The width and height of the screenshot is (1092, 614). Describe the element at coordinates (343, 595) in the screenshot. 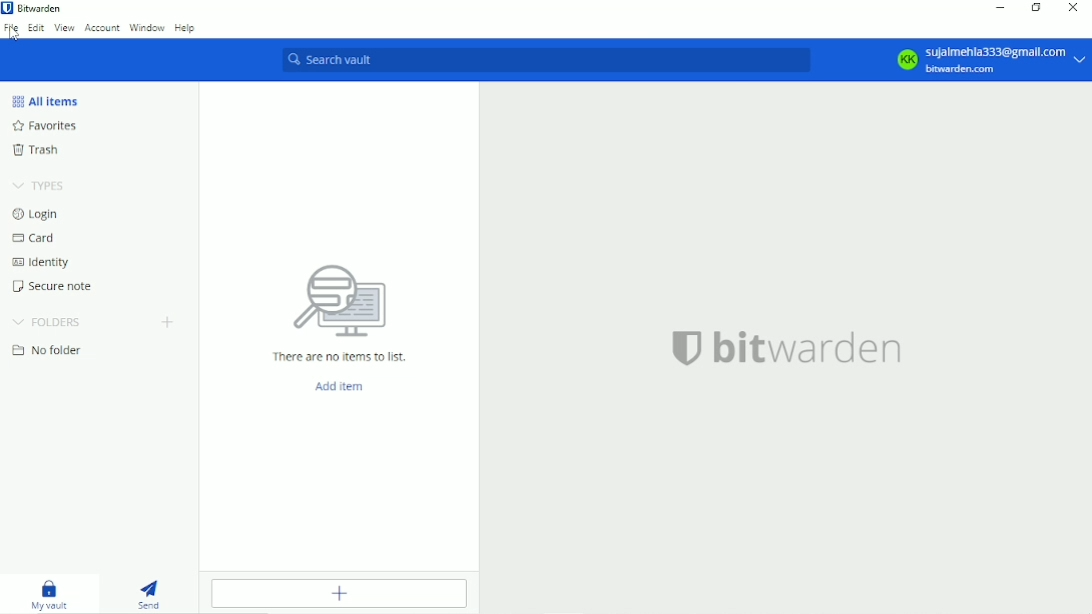

I see `Add item` at that location.